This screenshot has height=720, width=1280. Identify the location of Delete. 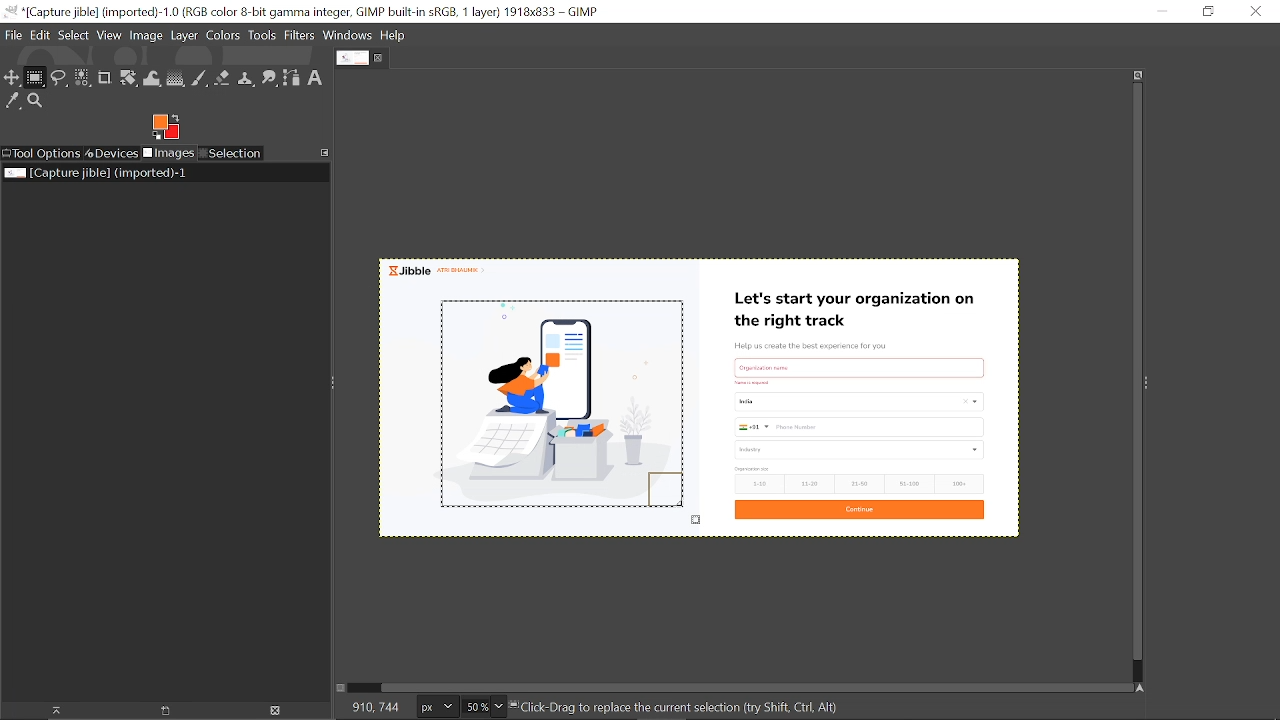
(275, 710).